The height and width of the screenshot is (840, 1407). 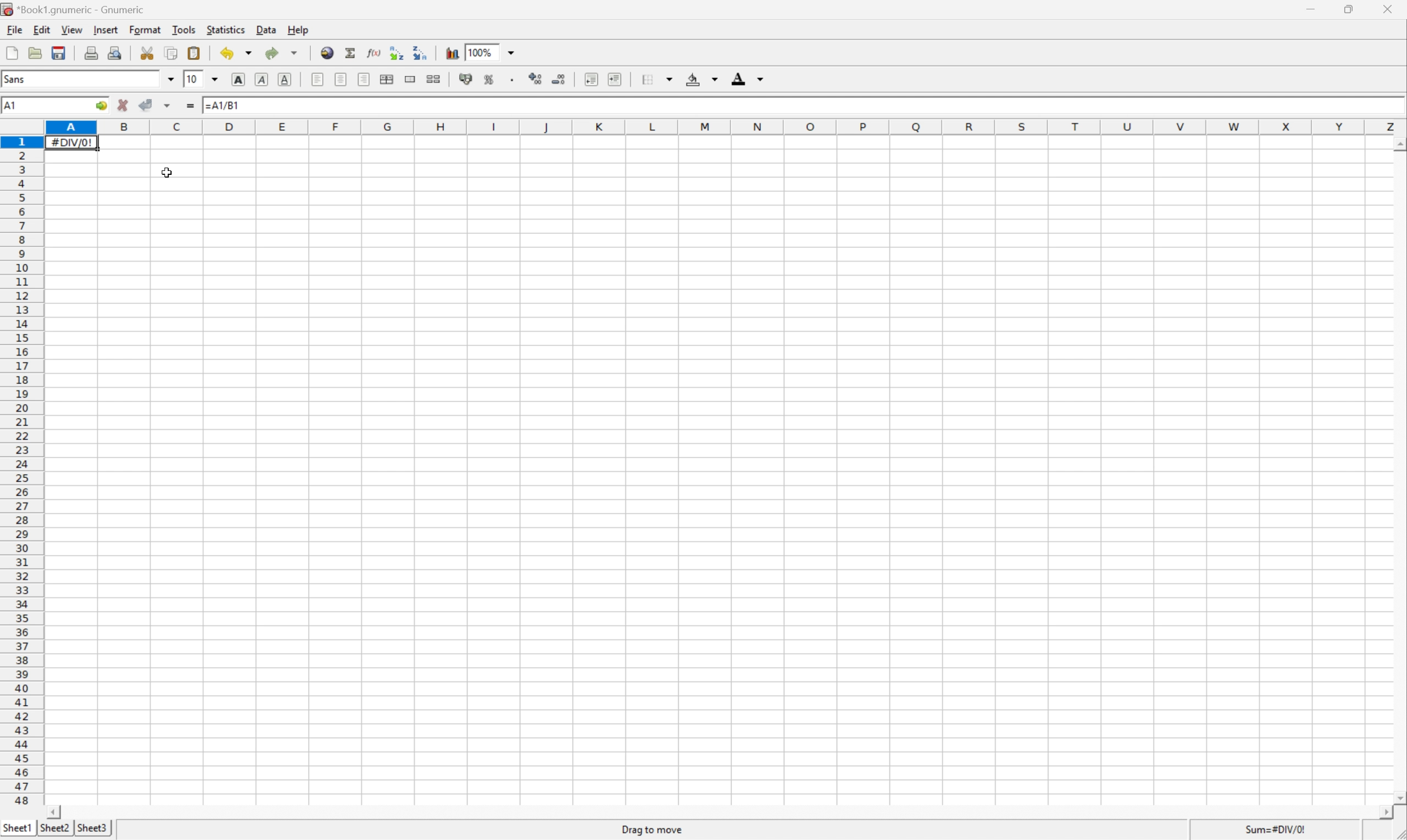 What do you see at coordinates (653, 829) in the screenshot?
I see `Drag to move` at bounding box center [653, 829].